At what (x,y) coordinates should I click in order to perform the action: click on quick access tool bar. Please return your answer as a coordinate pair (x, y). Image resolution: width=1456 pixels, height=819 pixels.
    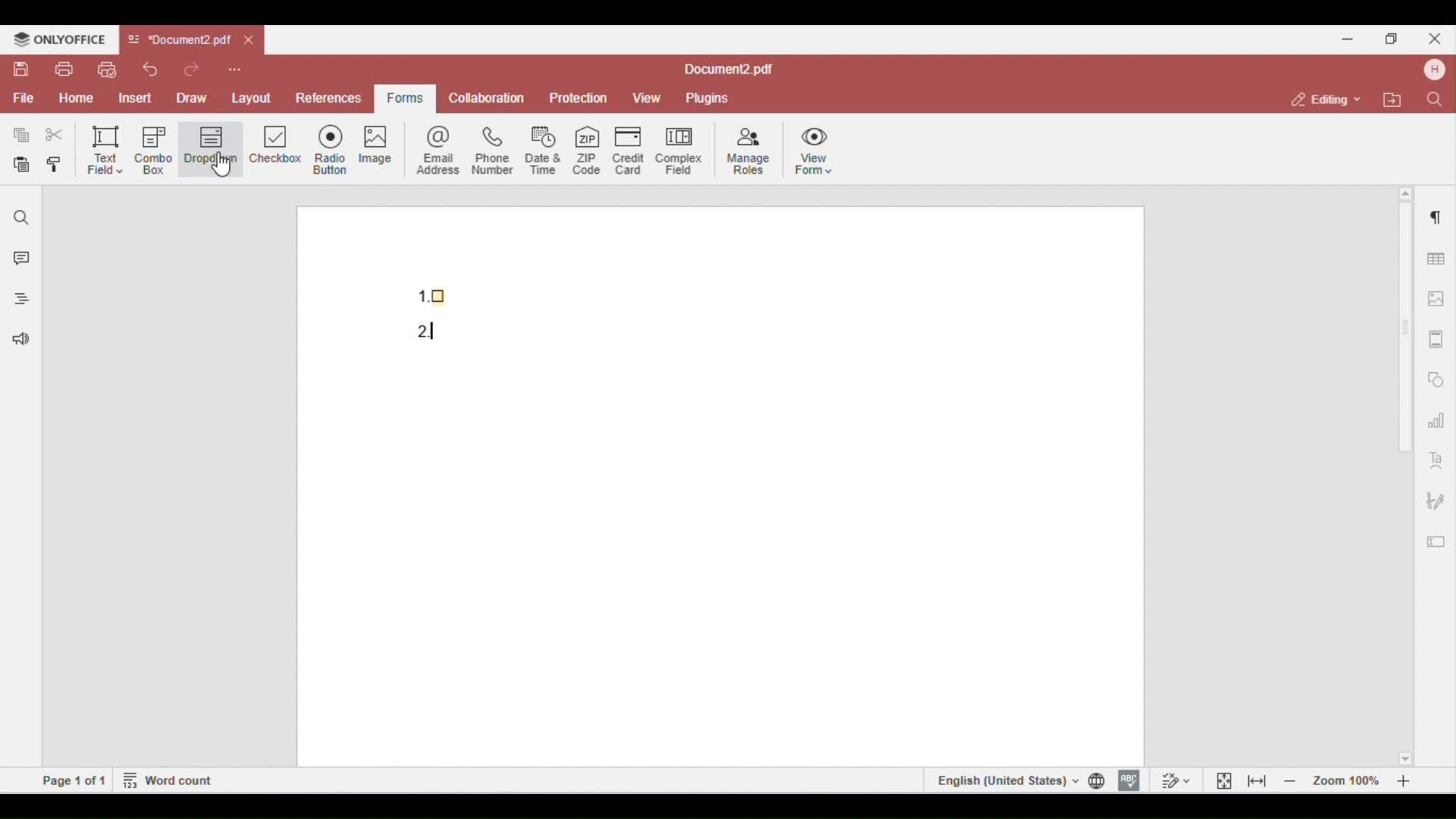
    Looking at the image, I should click on (235, 67).